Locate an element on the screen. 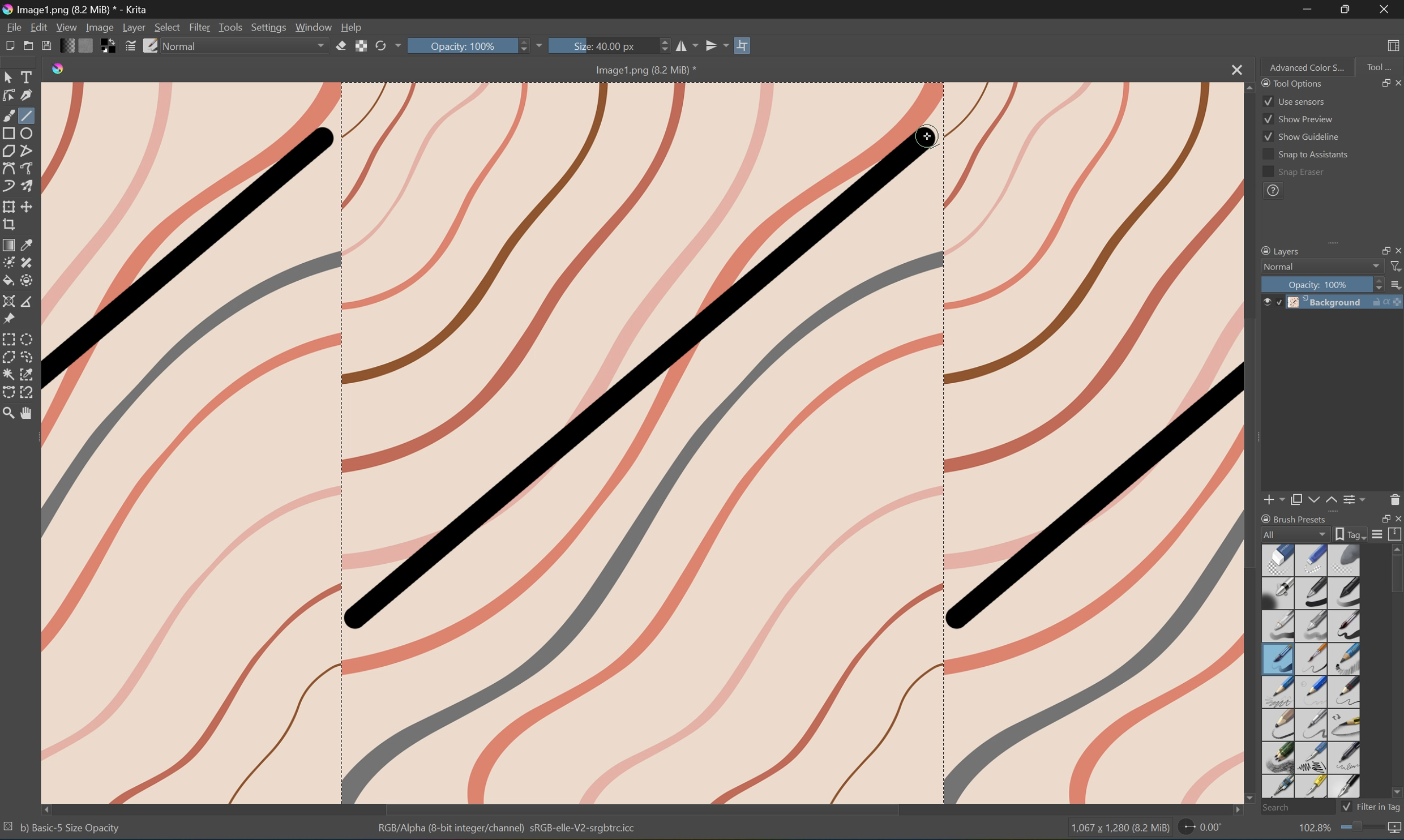 This screenshot has height=840, width=1404. Normal is located at coordinates (1279, 267).